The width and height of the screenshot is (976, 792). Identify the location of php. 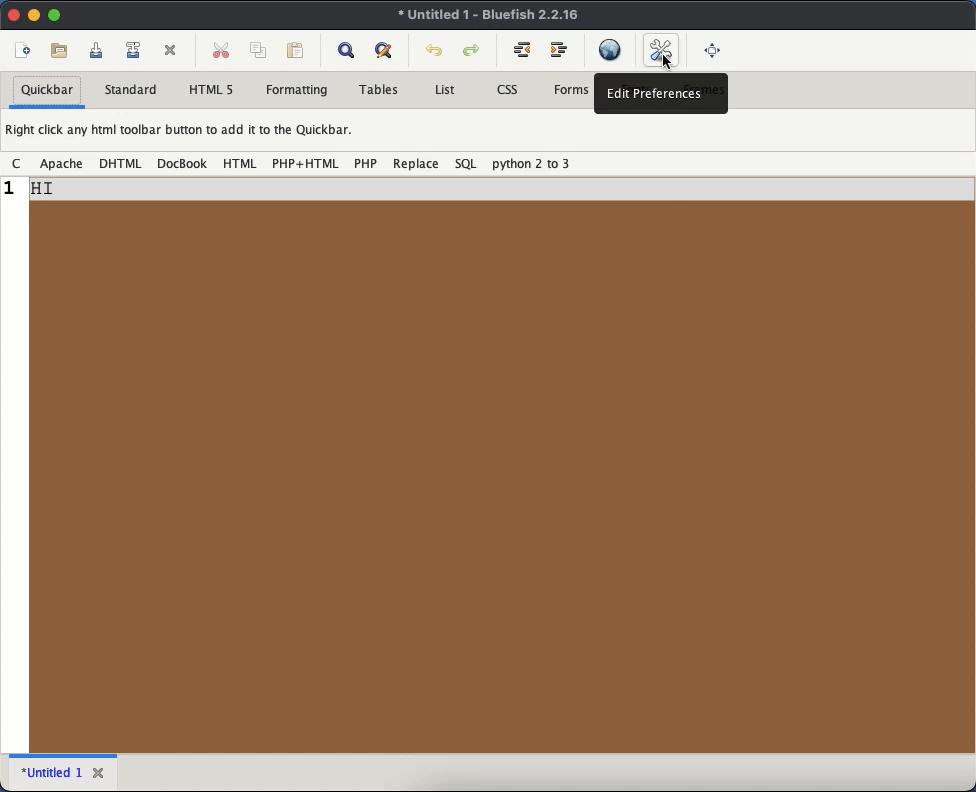
(365, 164).